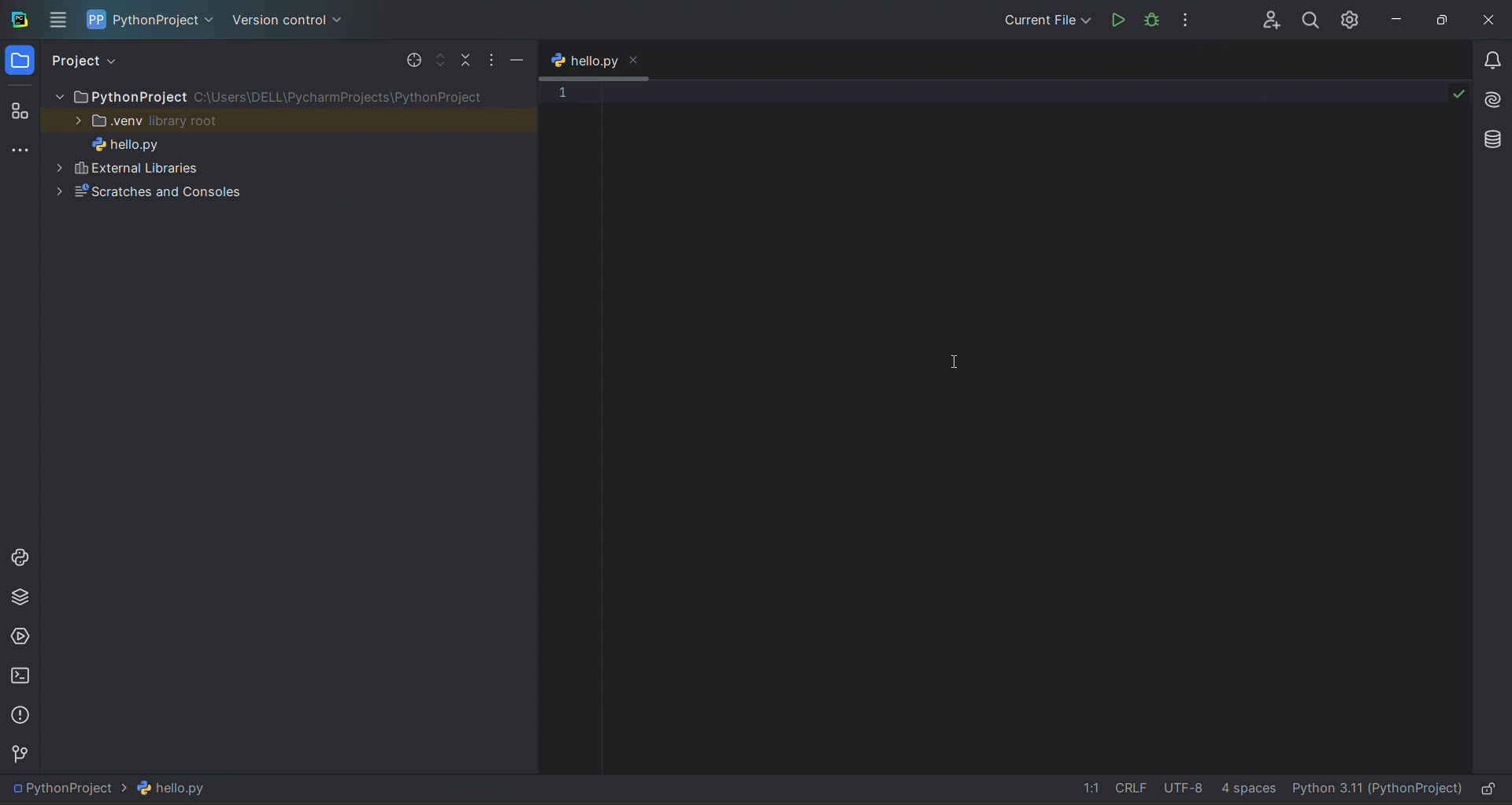  Describe the element at coordinates (1153, 21) in the screenshot. I see `debug` at that location.